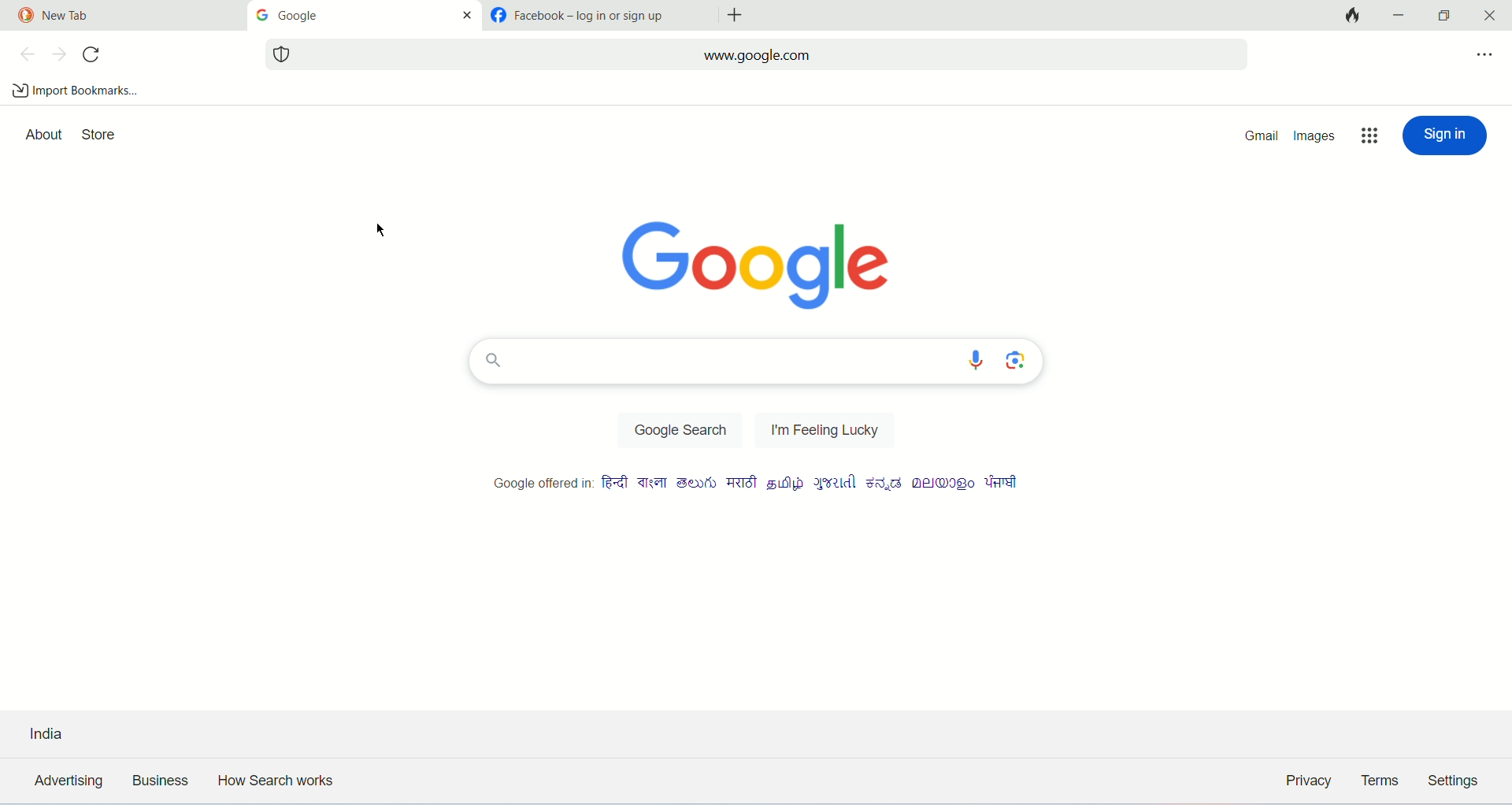  What do you see at coordinates (59, 56) in the screenshot?
I see `next` at bounding box center [59, 56].